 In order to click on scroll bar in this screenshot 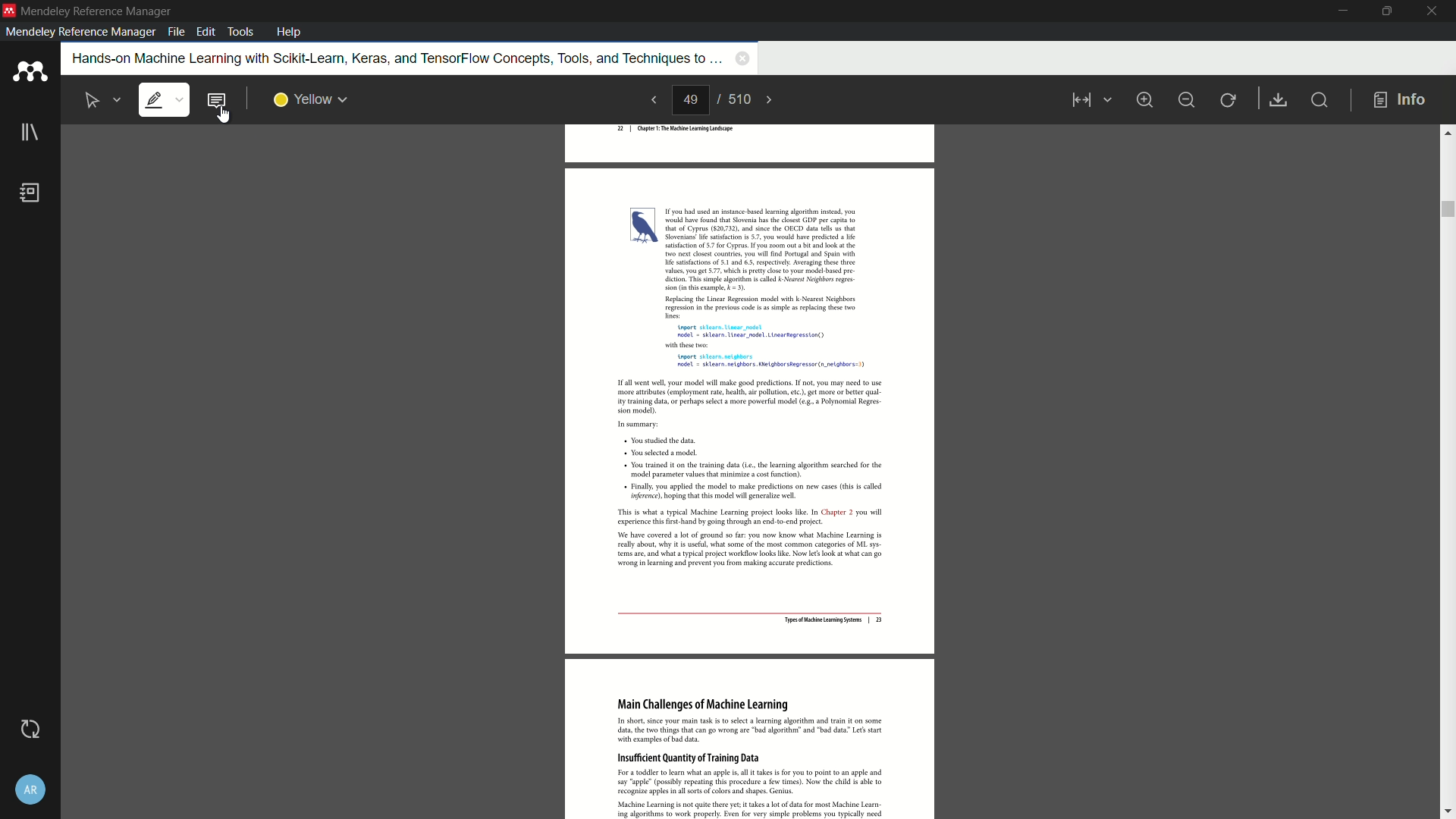, I will do `click(1447, 209)`.